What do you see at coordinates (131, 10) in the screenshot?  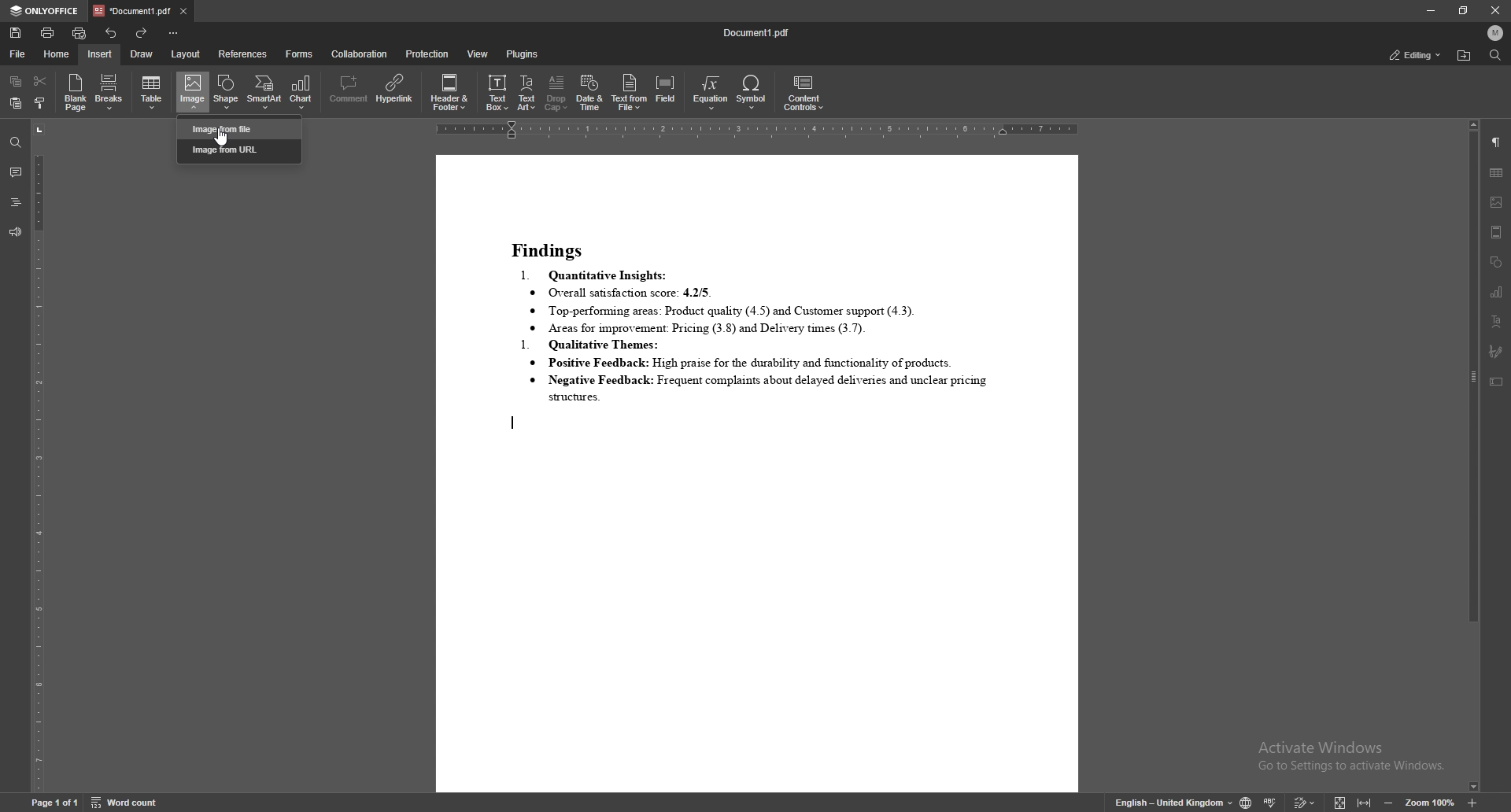 I see `tab` at bounding box center [131, 10].